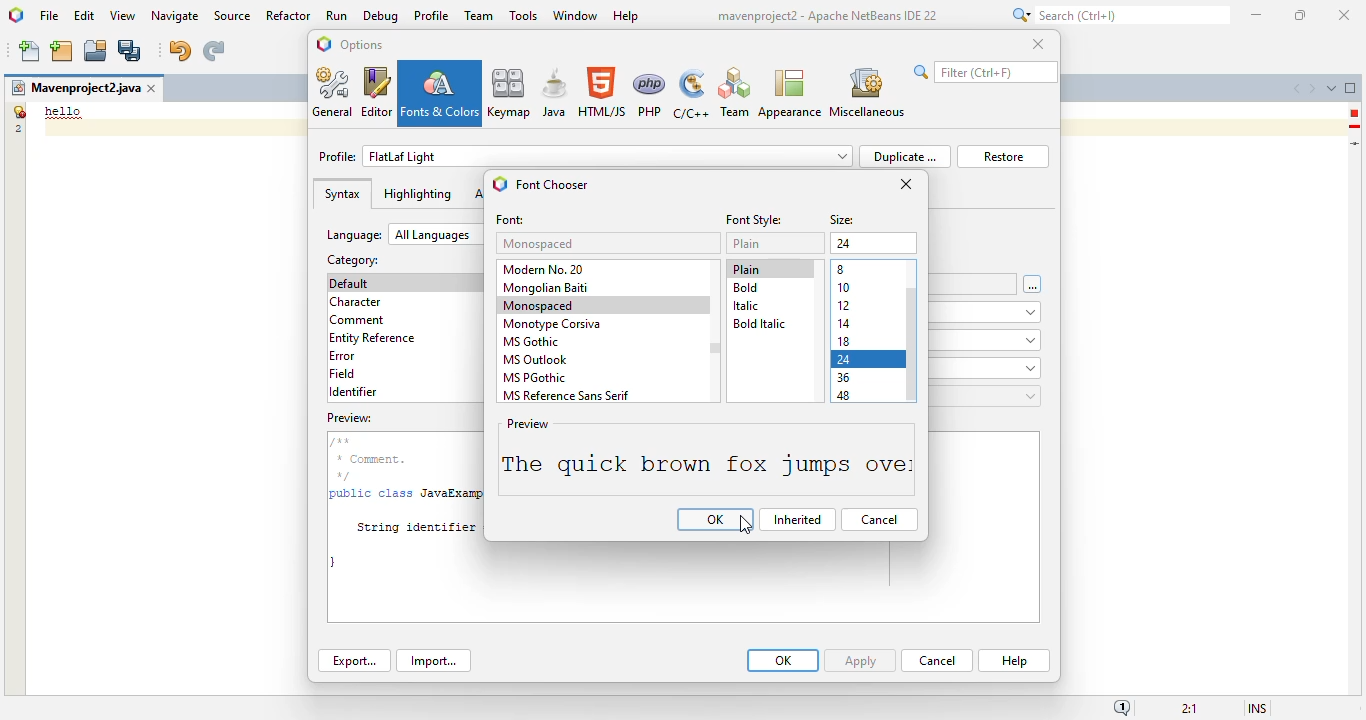 This screenshot has height=720, width=1366. Describe the element at coordinates (1003, 157) in the screenshot. I see `restore` at that location.